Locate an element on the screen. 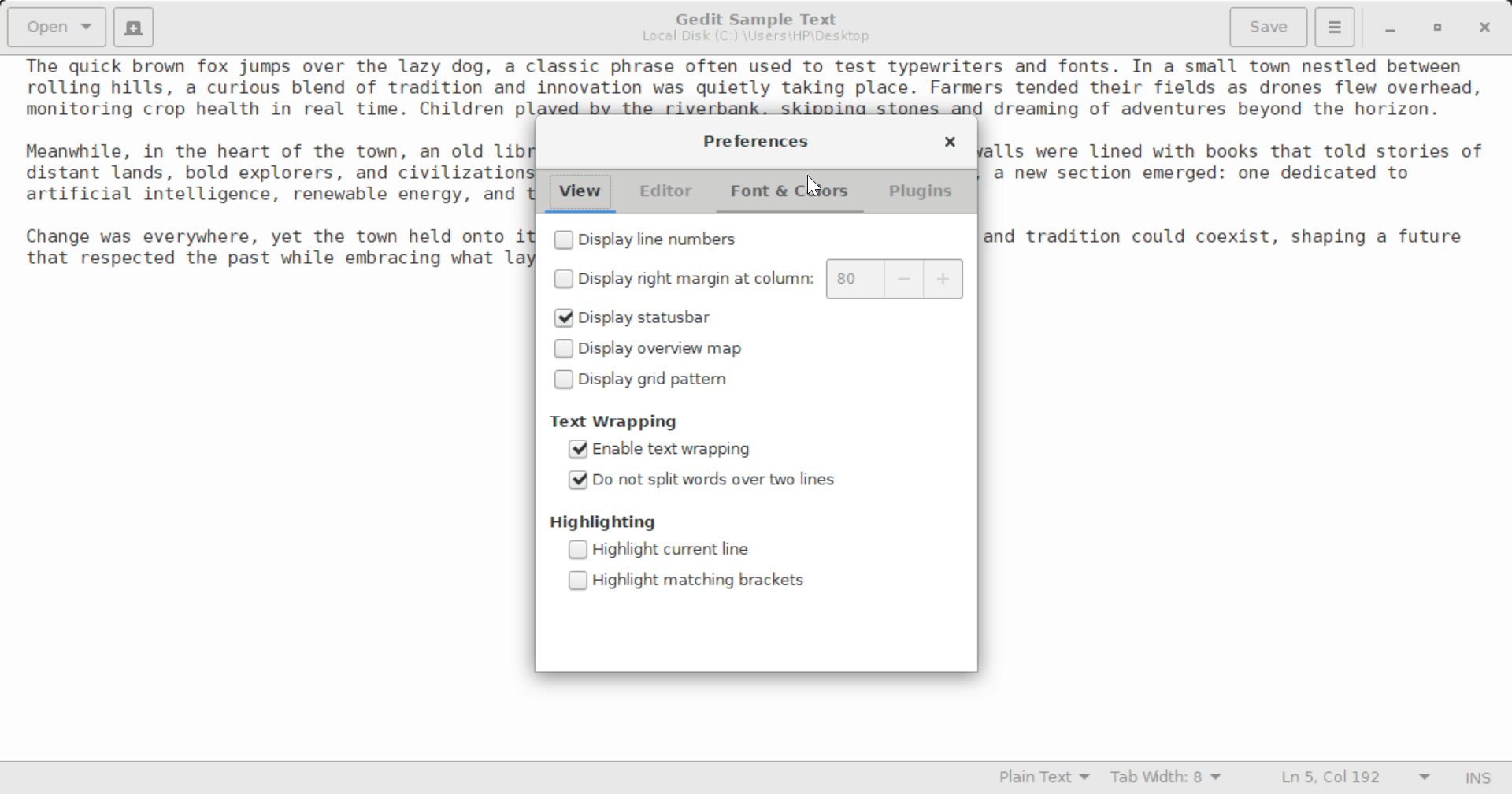 The image size is (1512, 794). Restore Down  is located at coordinates (1391, 28).